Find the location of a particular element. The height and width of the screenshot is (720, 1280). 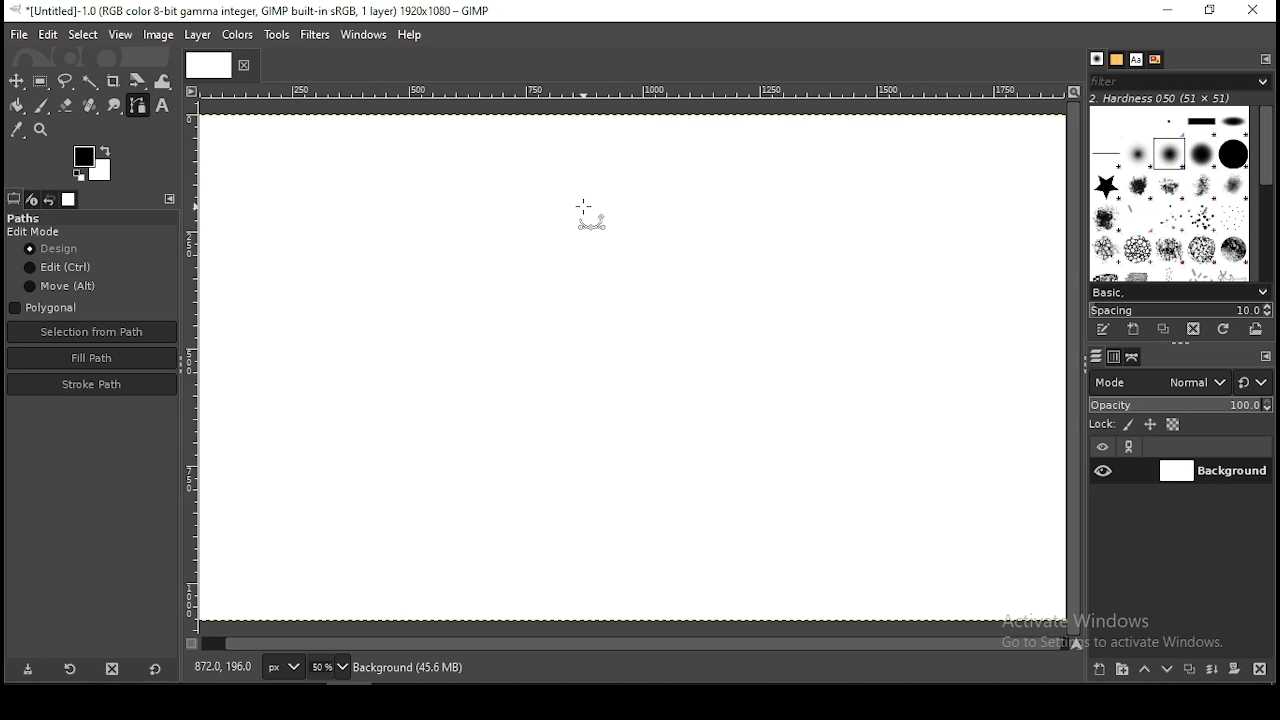

link is located at coordinates (1131, 447).